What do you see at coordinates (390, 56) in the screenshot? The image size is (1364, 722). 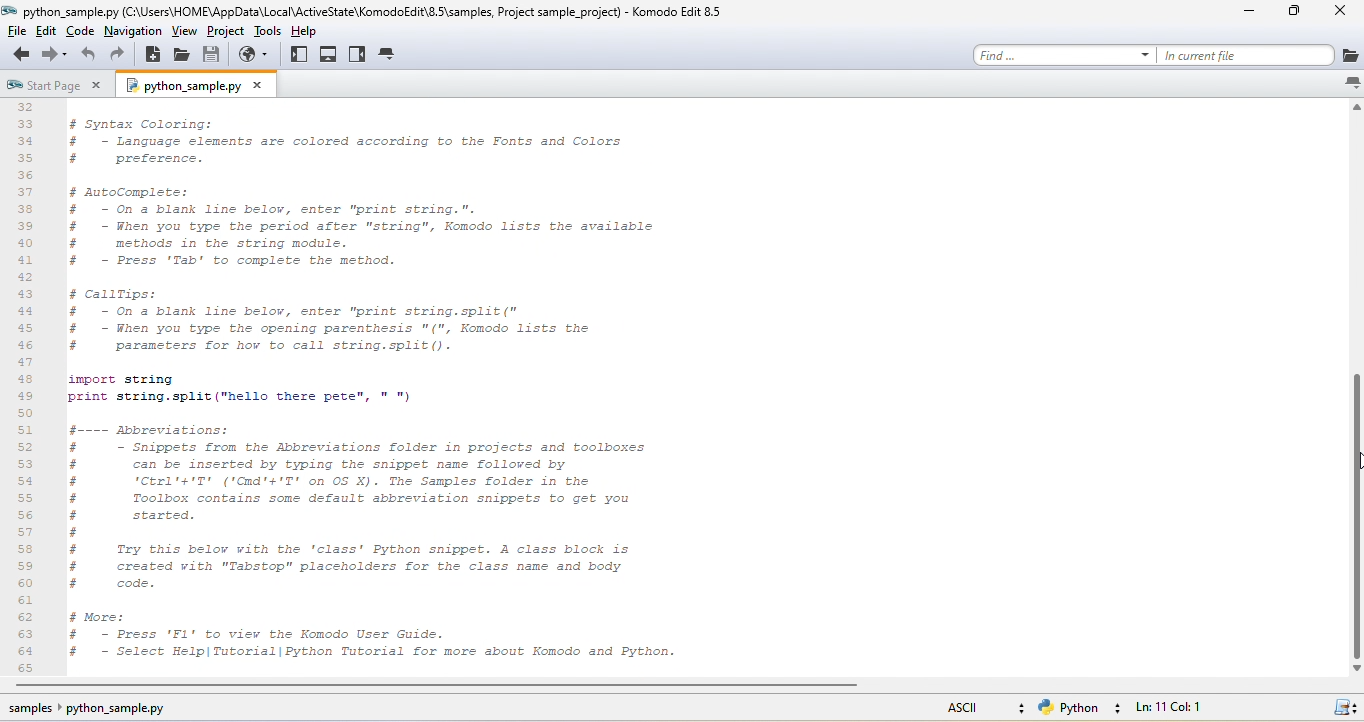 I see `tab` at bounding box center [390, 56].